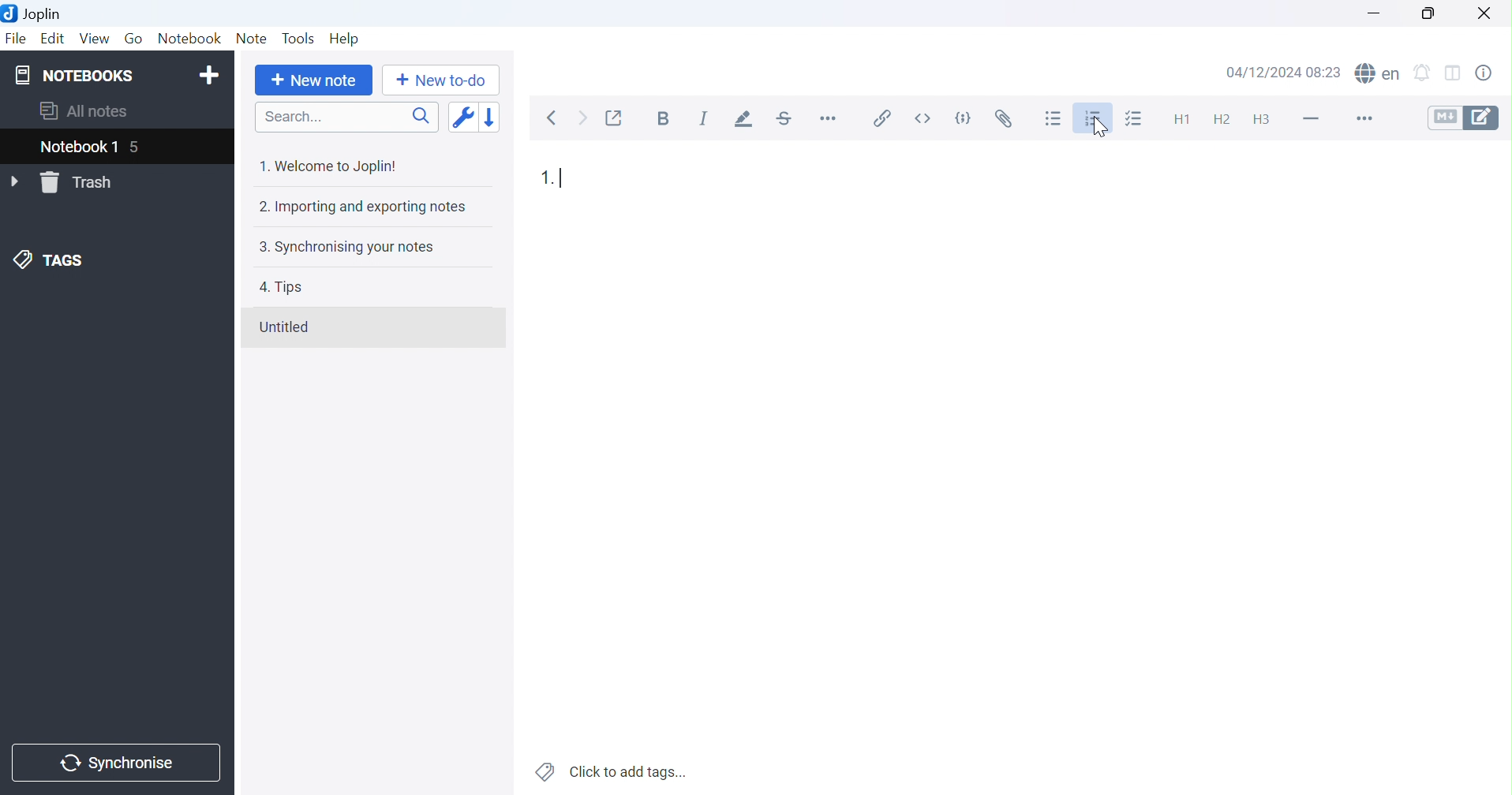 Image resolution: width=1512 pixels, height=795 pixels. What do you see at coordinates (1138, 118) in the screenshot?
I see `Checkbox list` at bounding box center [1138, 118].